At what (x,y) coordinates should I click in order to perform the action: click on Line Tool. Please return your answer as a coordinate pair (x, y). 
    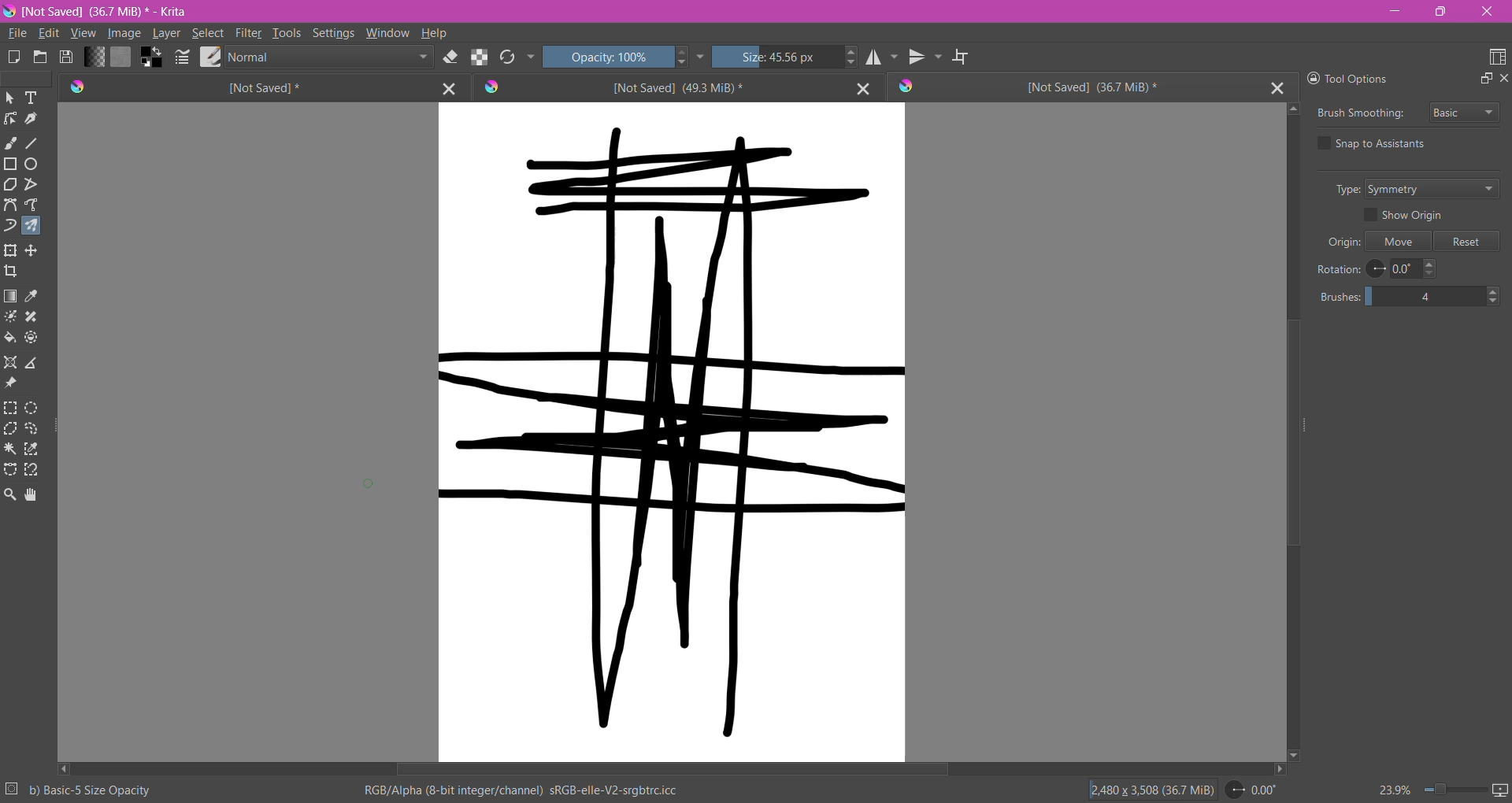
    Looking at the image, I should click on (33, 143).